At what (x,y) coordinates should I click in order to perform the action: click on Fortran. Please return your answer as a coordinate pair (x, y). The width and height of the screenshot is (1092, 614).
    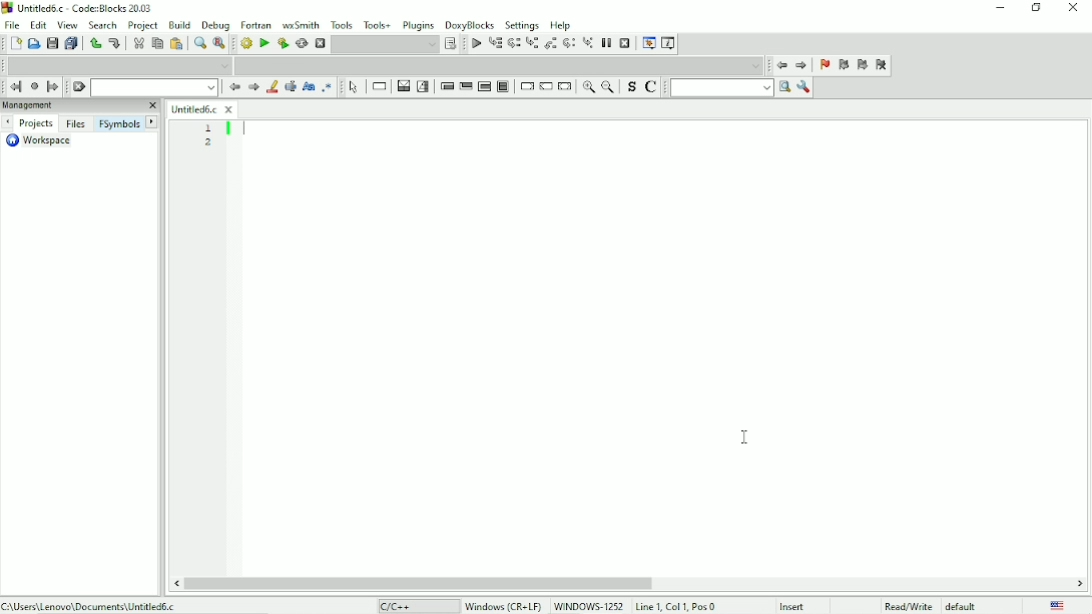
    Looking at the image, I should click on (256, 24).